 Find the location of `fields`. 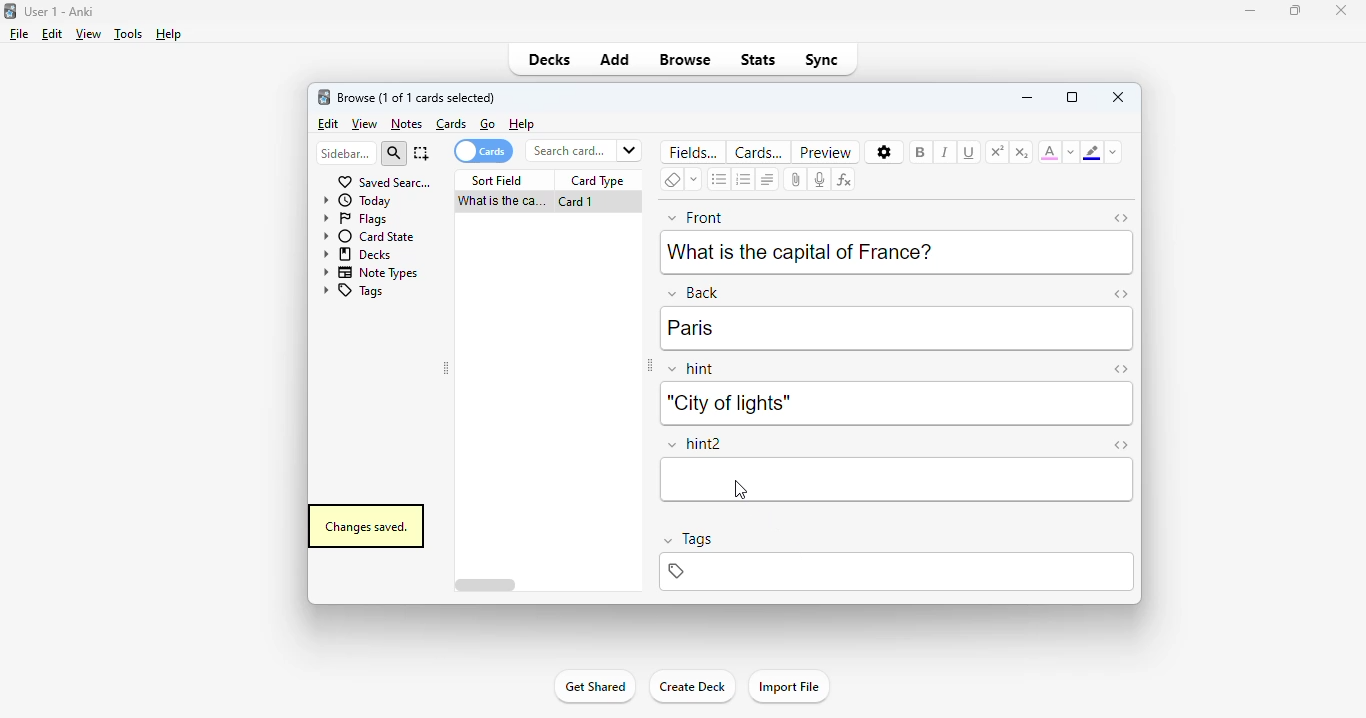

fields is located at coordinates (695, 151).